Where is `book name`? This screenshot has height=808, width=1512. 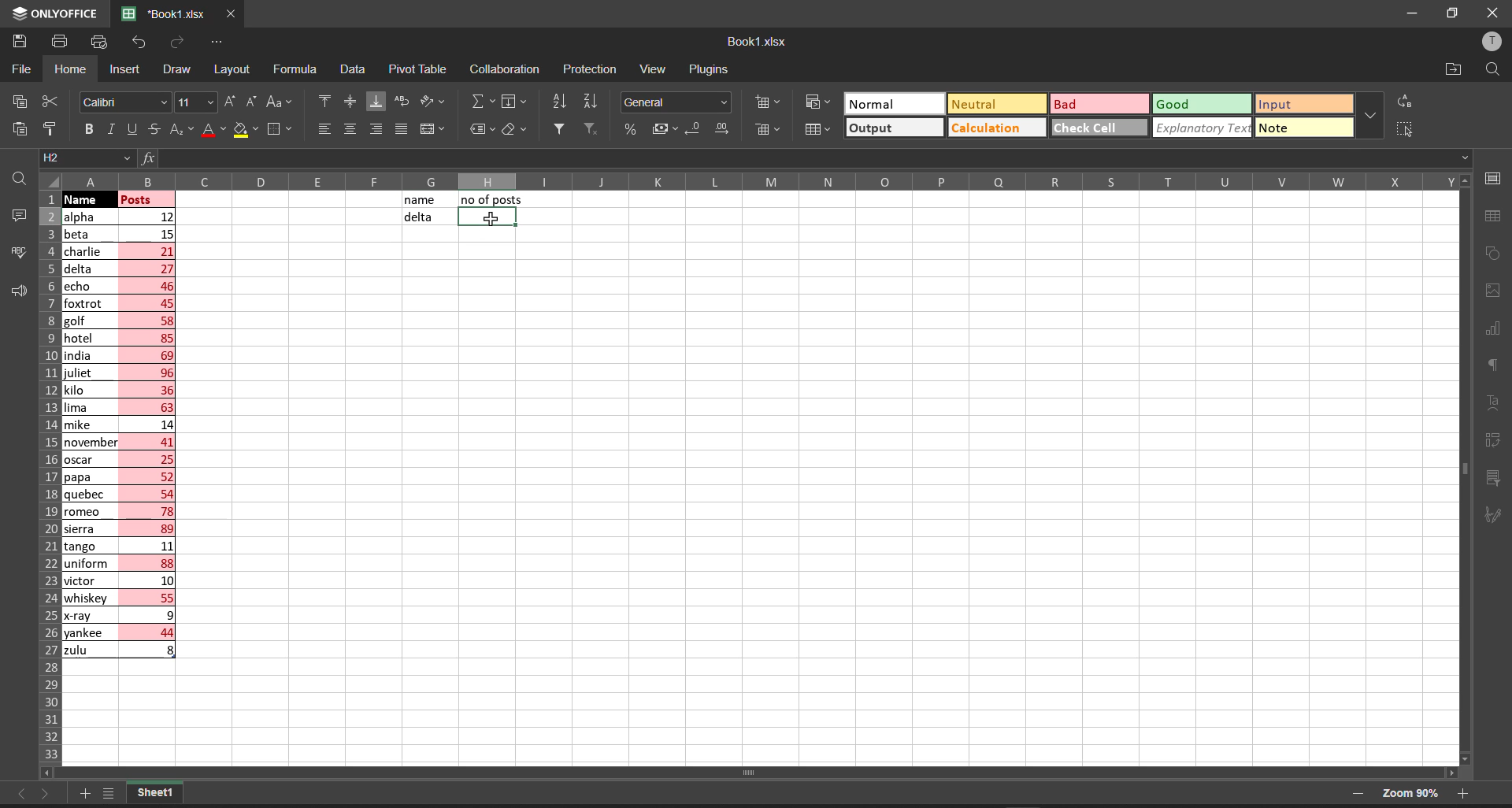
book name is located at coordinates (755, 42).